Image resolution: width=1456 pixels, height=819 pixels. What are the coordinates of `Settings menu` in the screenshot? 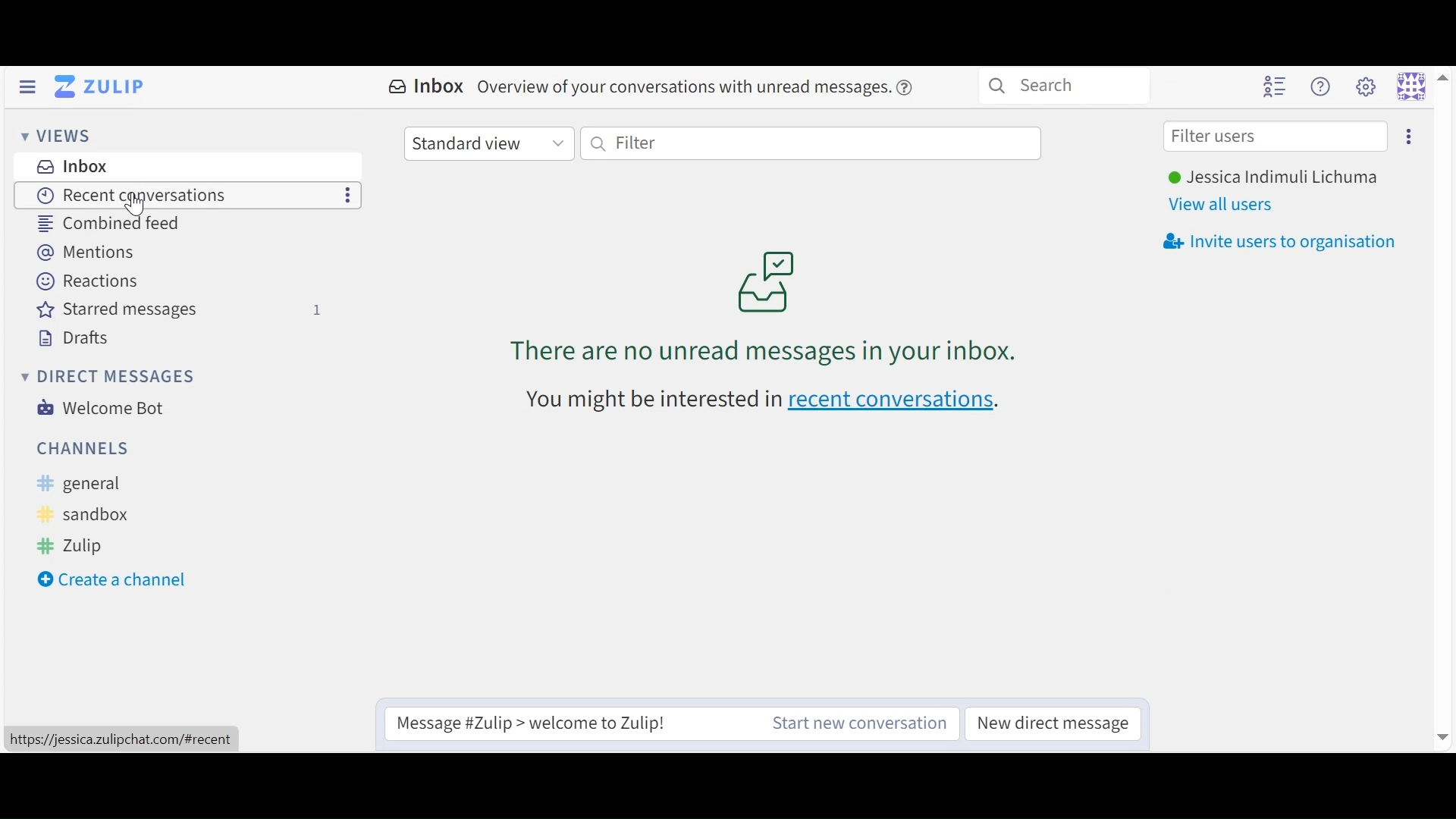 It's located at (1369, 86).